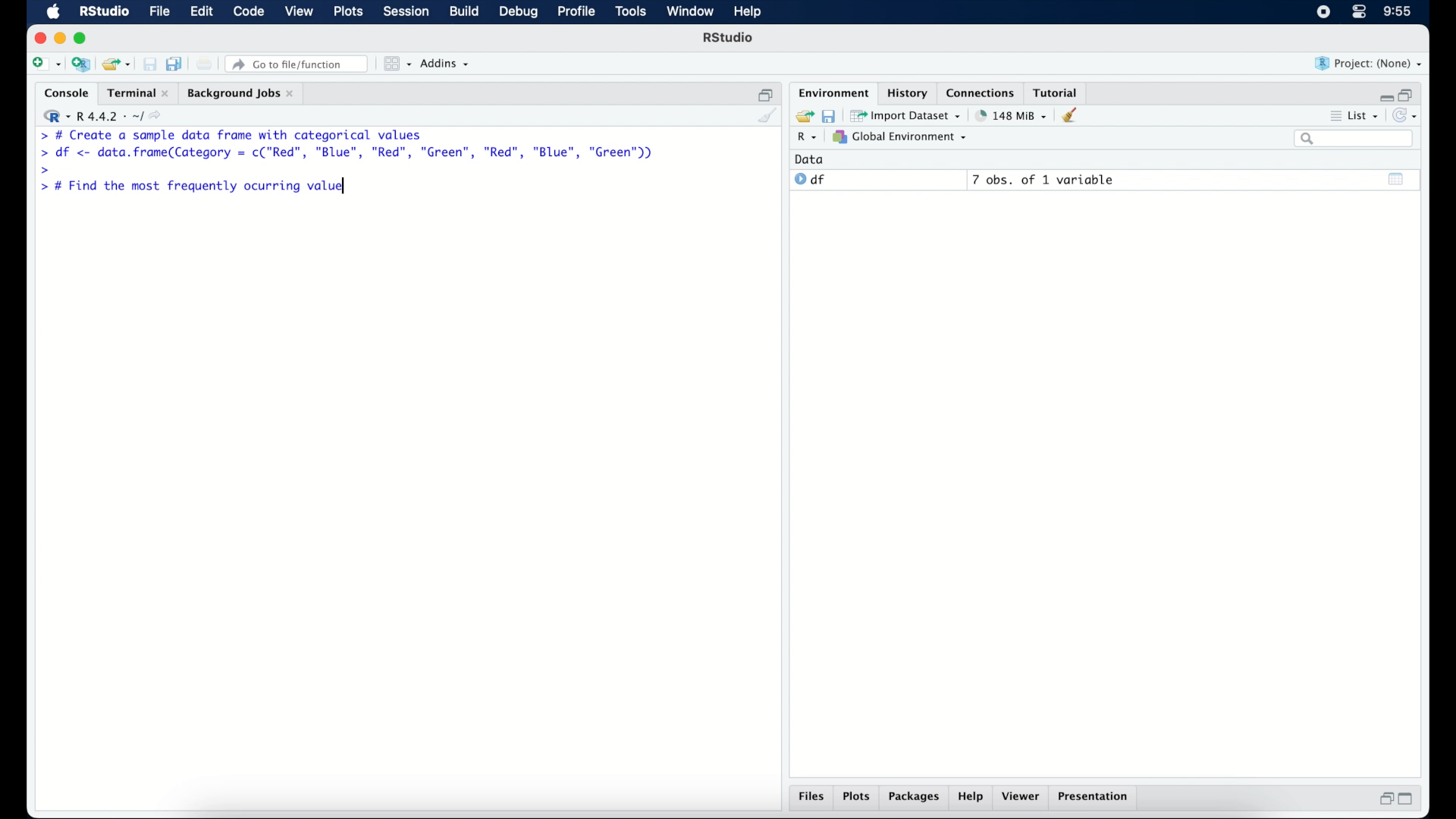 This screenshot has height=819, width=1456. Describe the element at coordinates (117, 64) in the screenshot. I see `open an existing project` at that location.